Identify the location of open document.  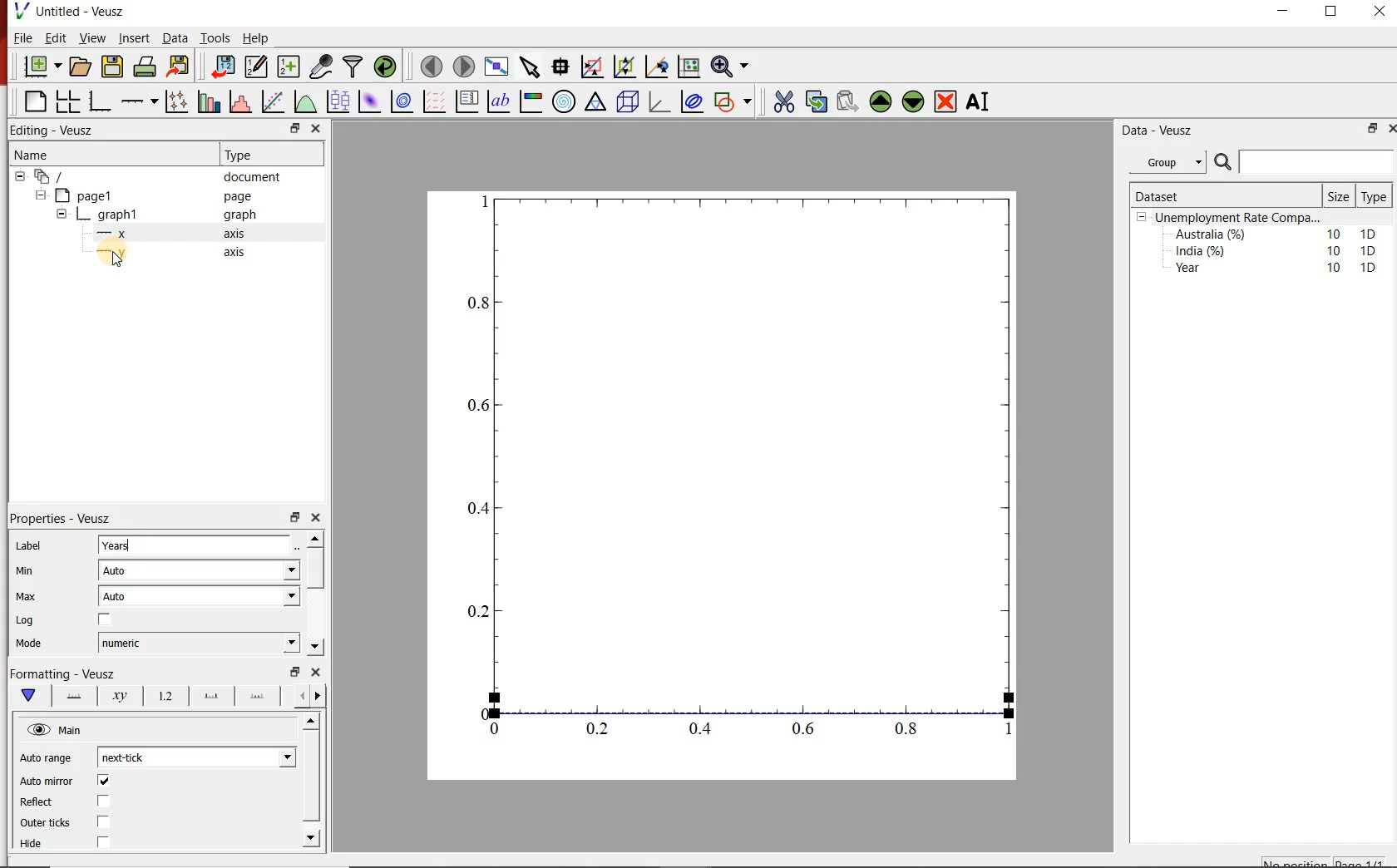
(81, 67).